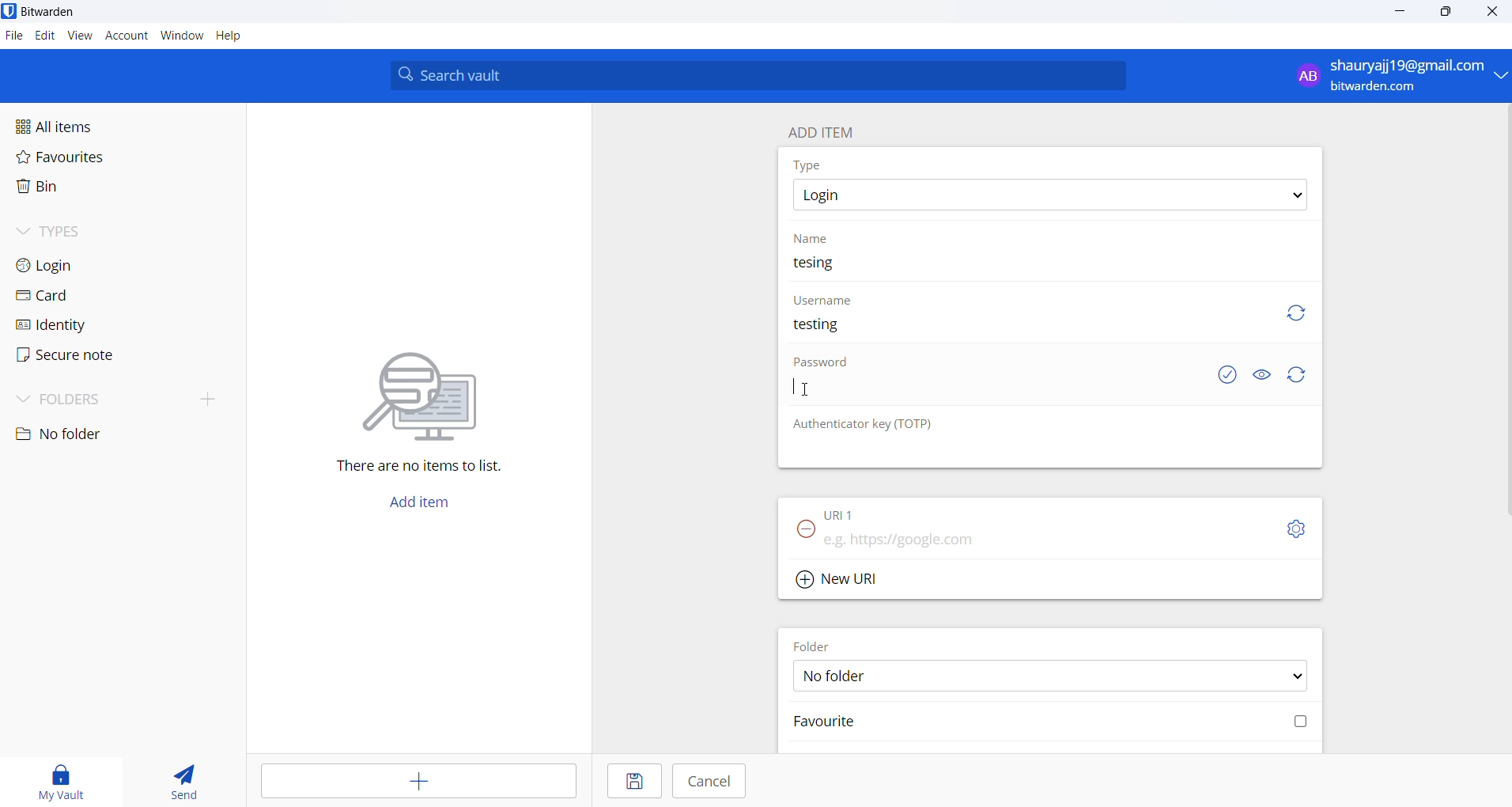 This screenshot has width=1512, height=807. What do you see at coordinates (1443, 13) in the screenshot?
I see `maximize` at bounding box center [1443, 13].